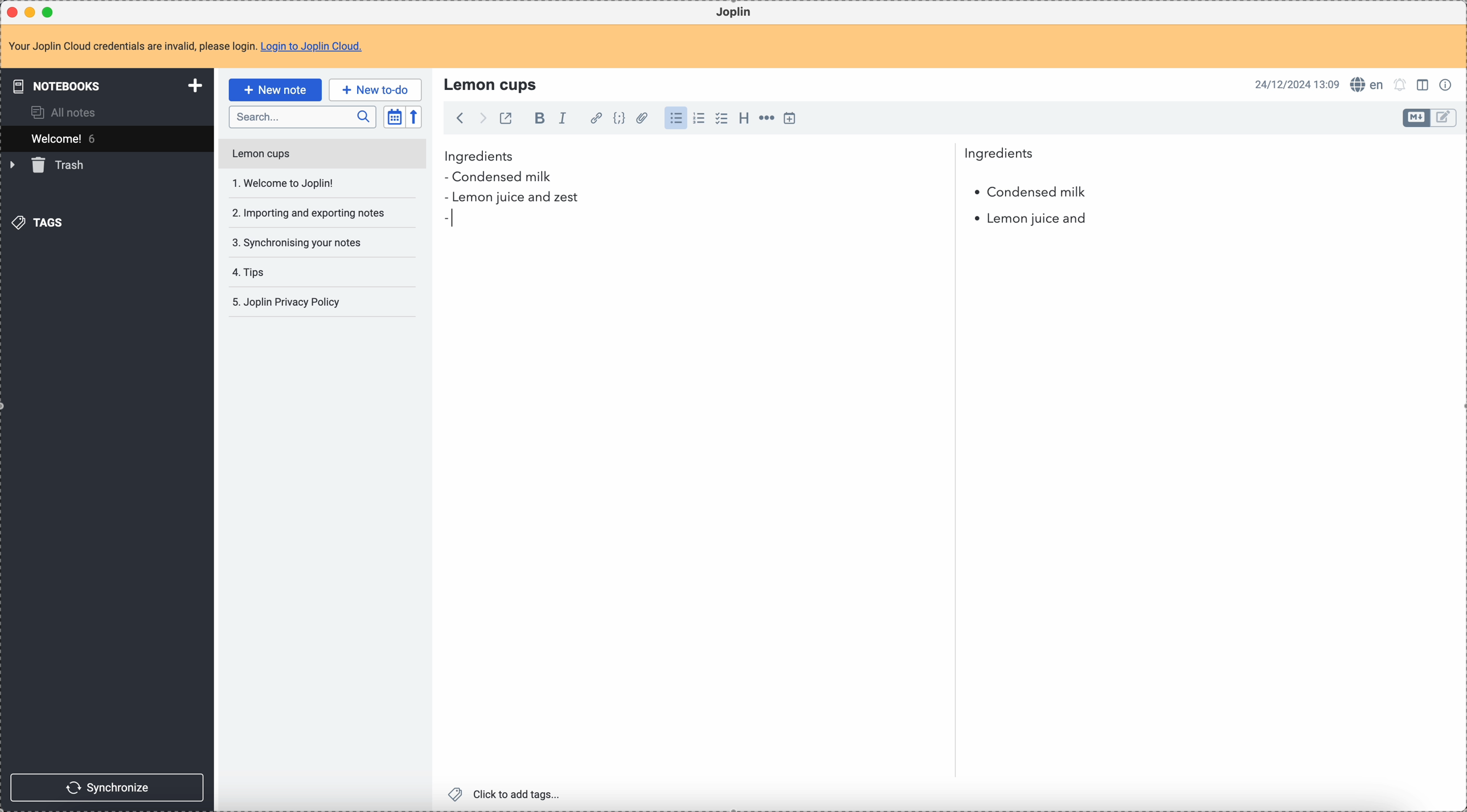  Describe the element at coordinates (51, 11) in the screenshot. I see `maximize` at that location.